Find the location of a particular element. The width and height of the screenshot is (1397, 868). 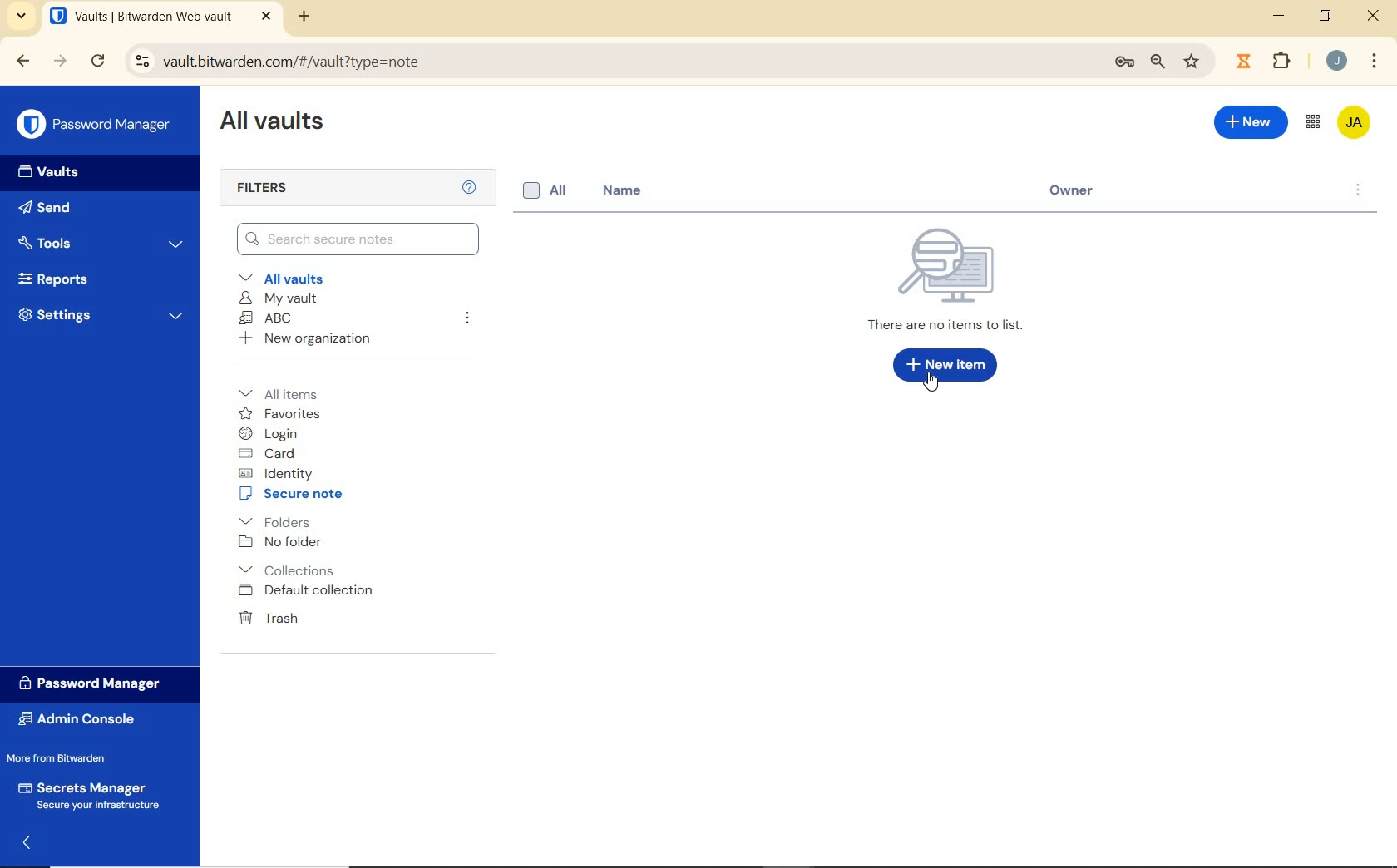

Tools is located at coordinates (102, 242).